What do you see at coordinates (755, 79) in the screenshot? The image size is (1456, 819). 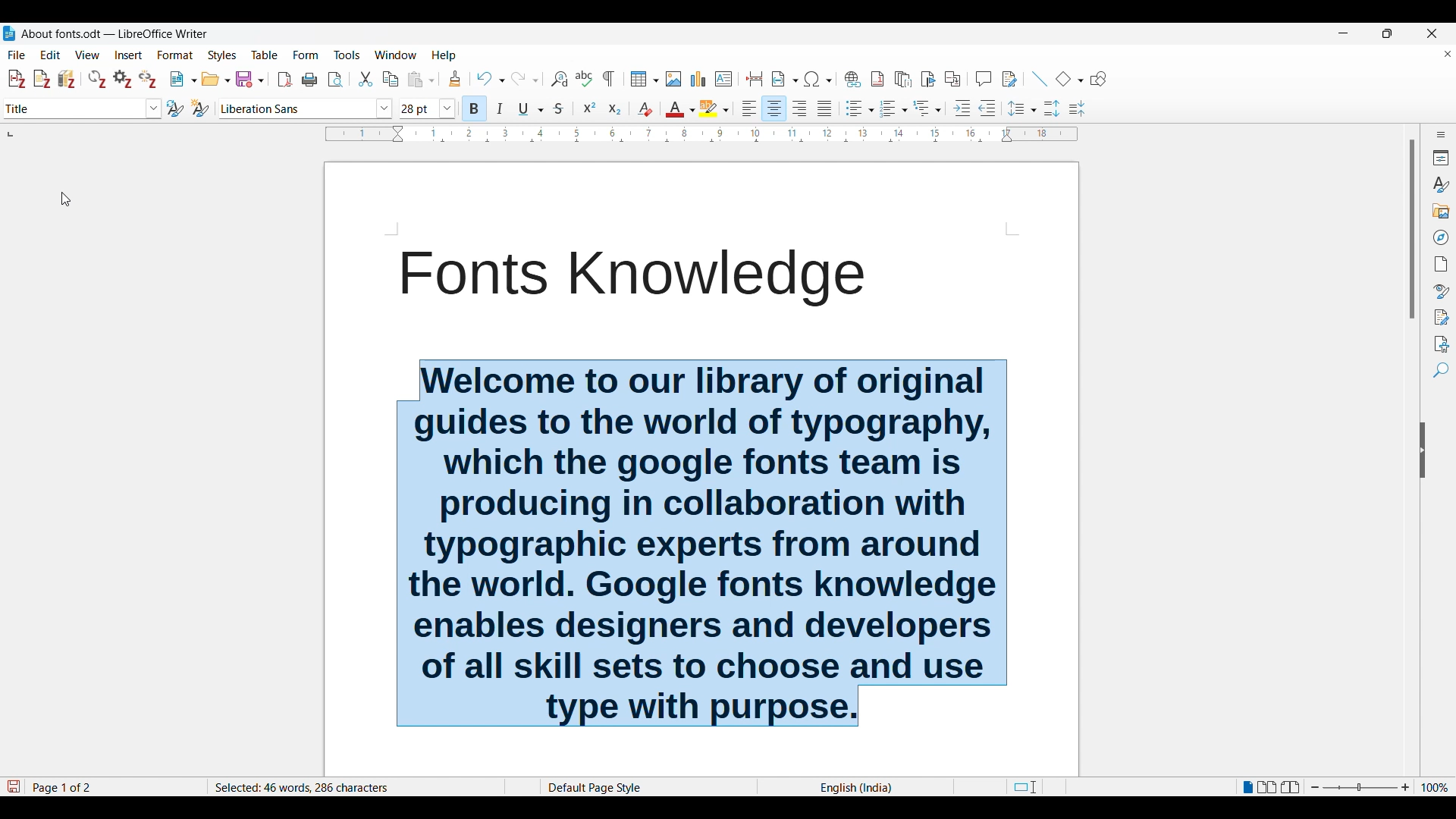 I see `Insert page break` at bounding box center [755, 79].